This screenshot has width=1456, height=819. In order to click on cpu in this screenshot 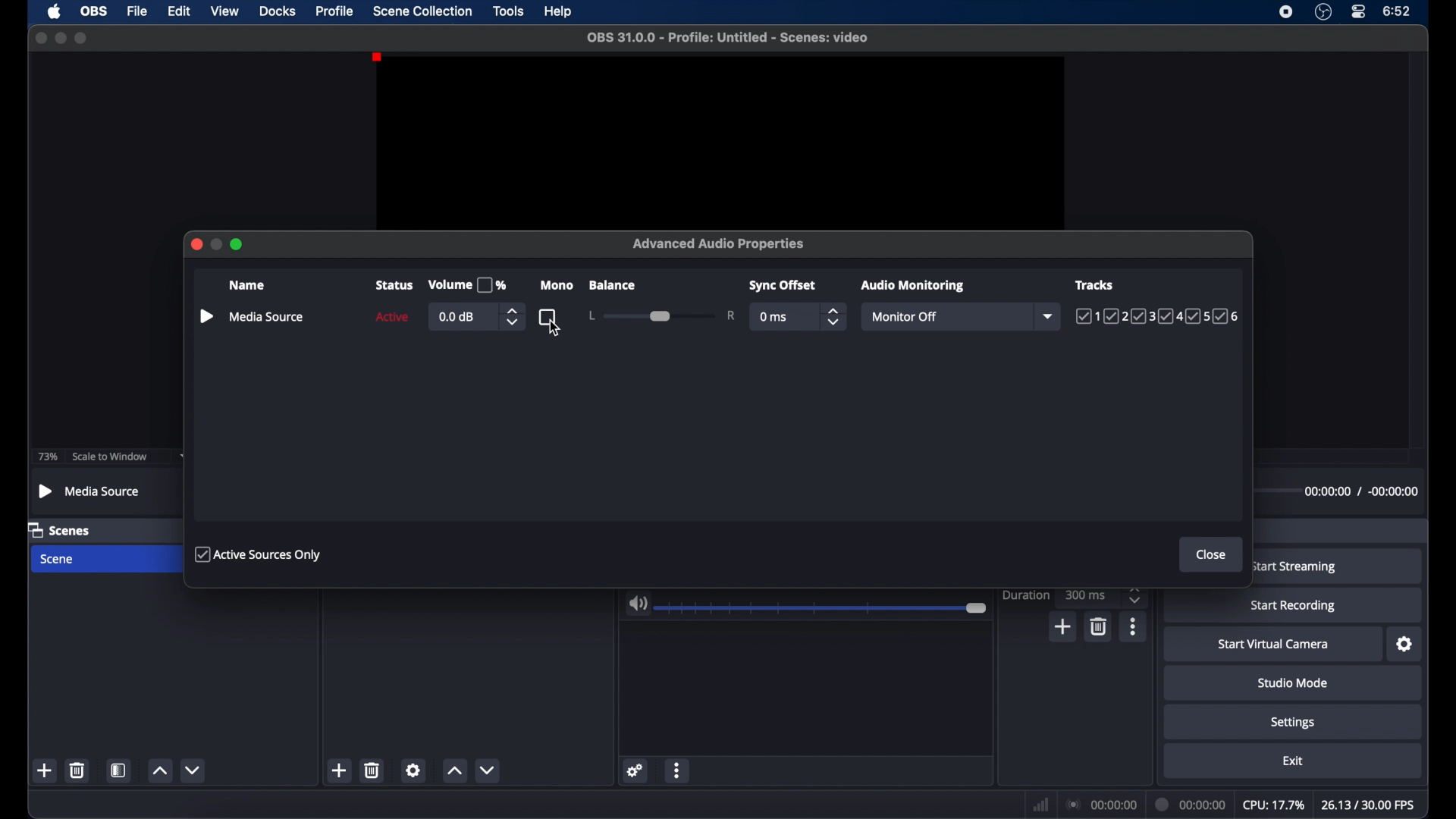, I will do `click(1274, 805)`.